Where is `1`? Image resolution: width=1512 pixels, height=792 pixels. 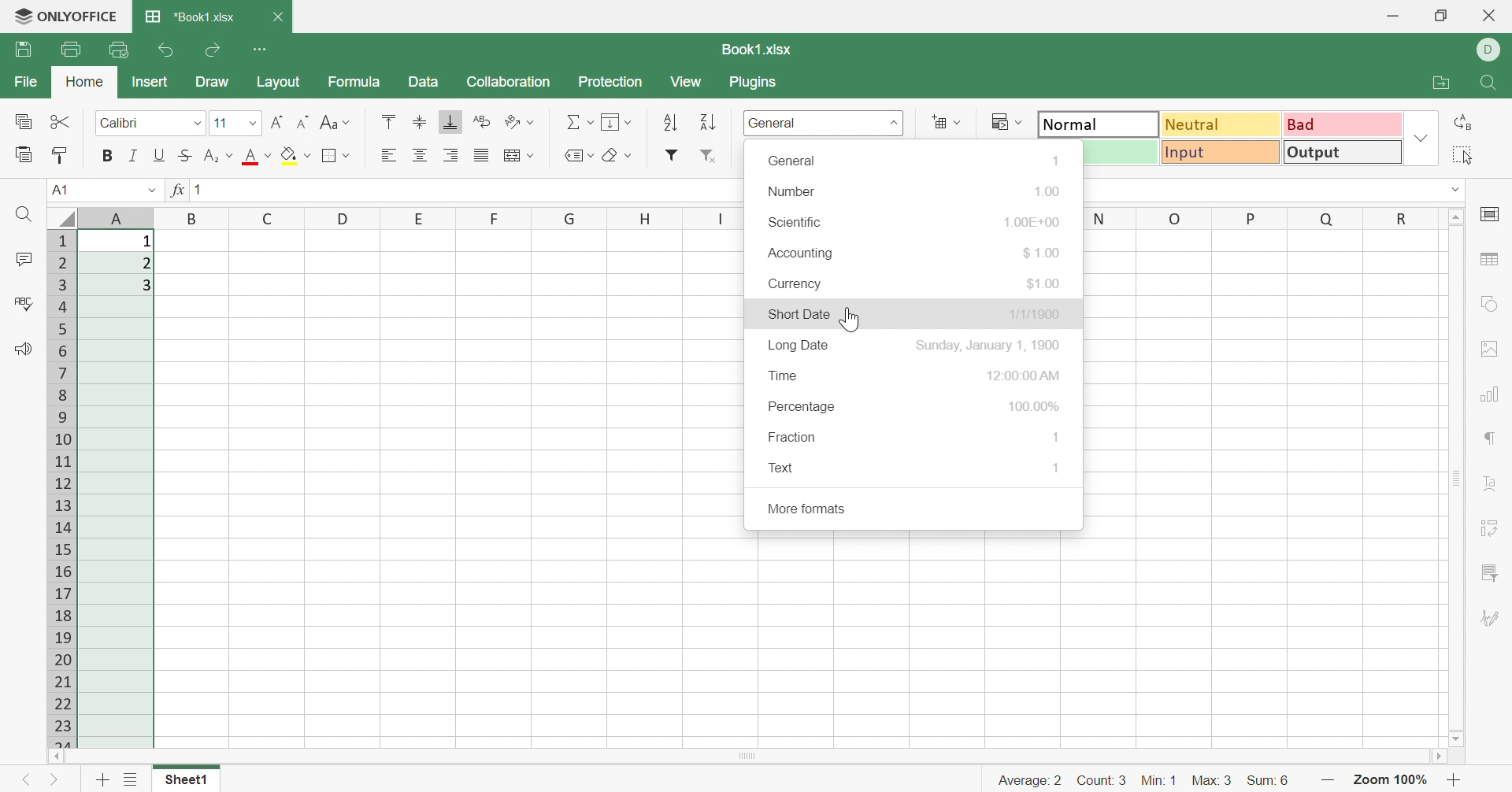 1 is located at coordinates (1058, 437).